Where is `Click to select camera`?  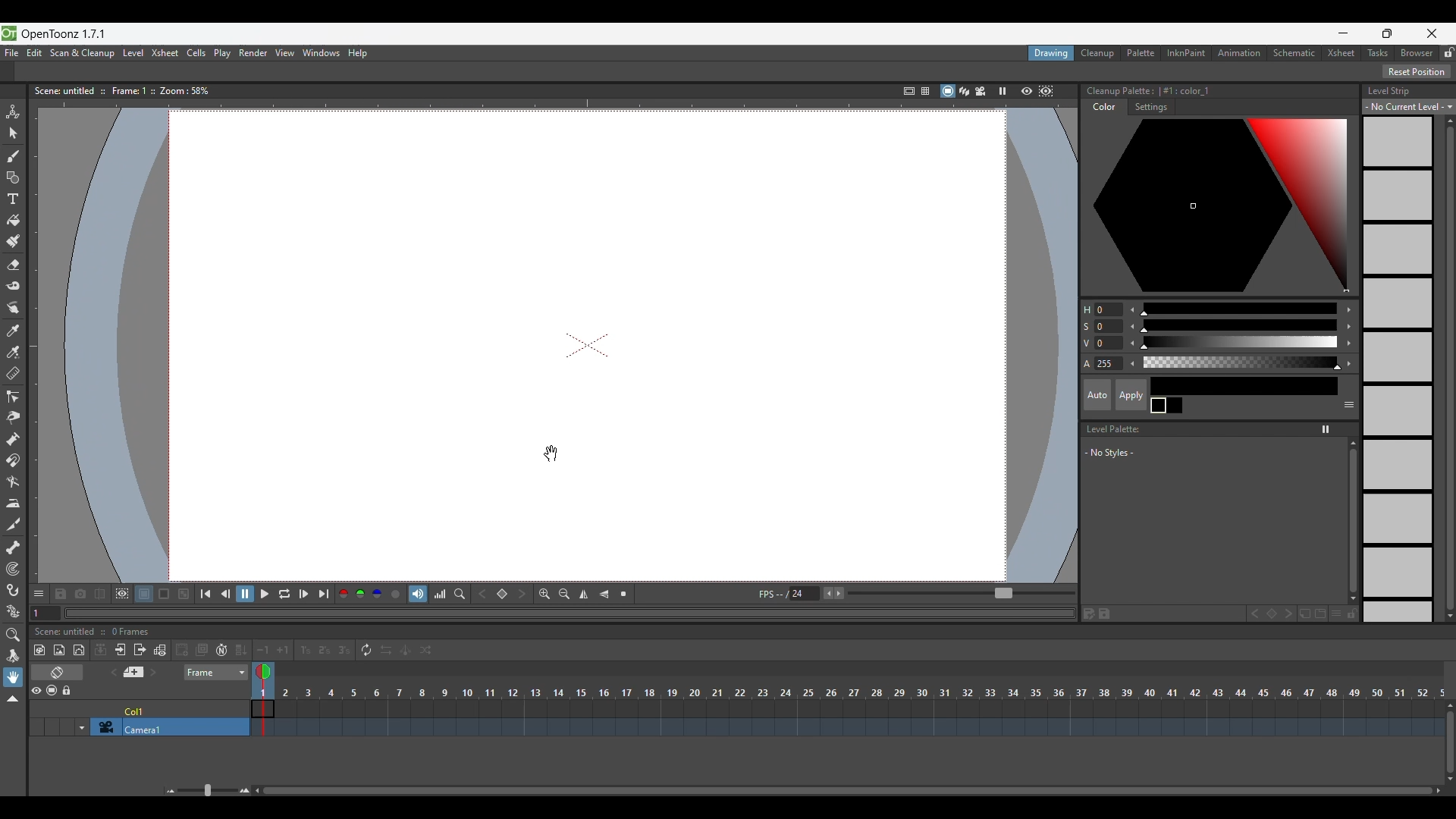
Click to select camera is located at coordinates (140, 728).